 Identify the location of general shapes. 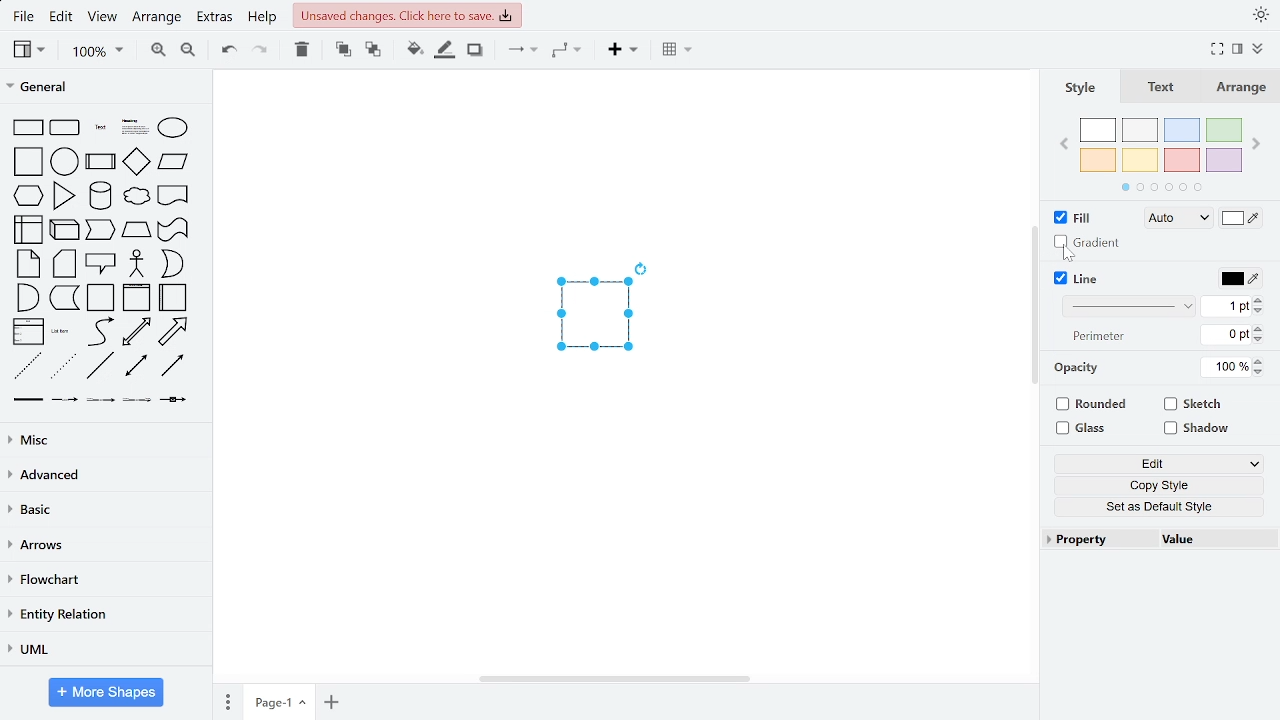
(170, 366).